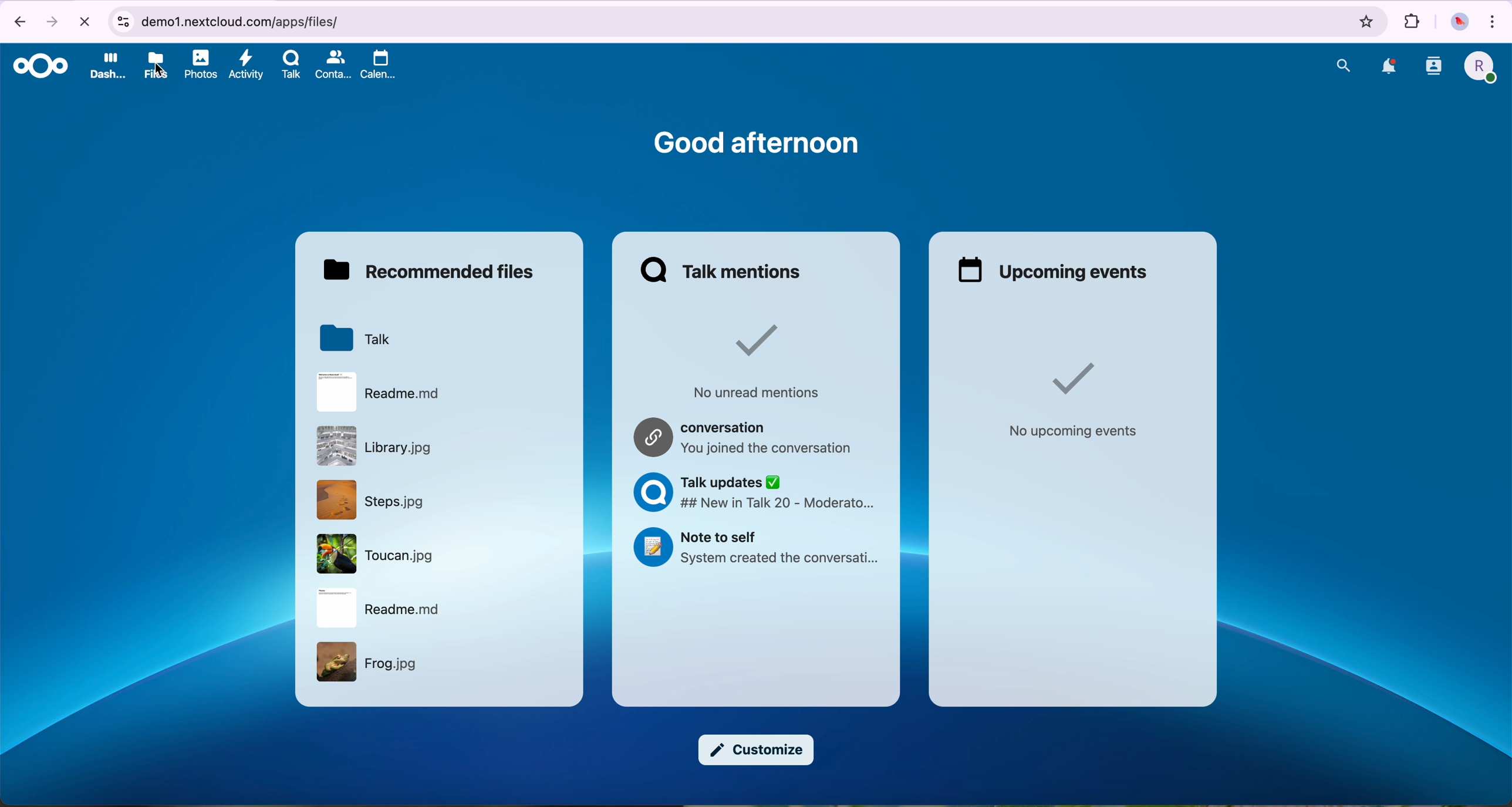  What do you see at coordinates (375, 505) in the screenshot?
I see `steps.jpg` at bounding box center [375, 505].